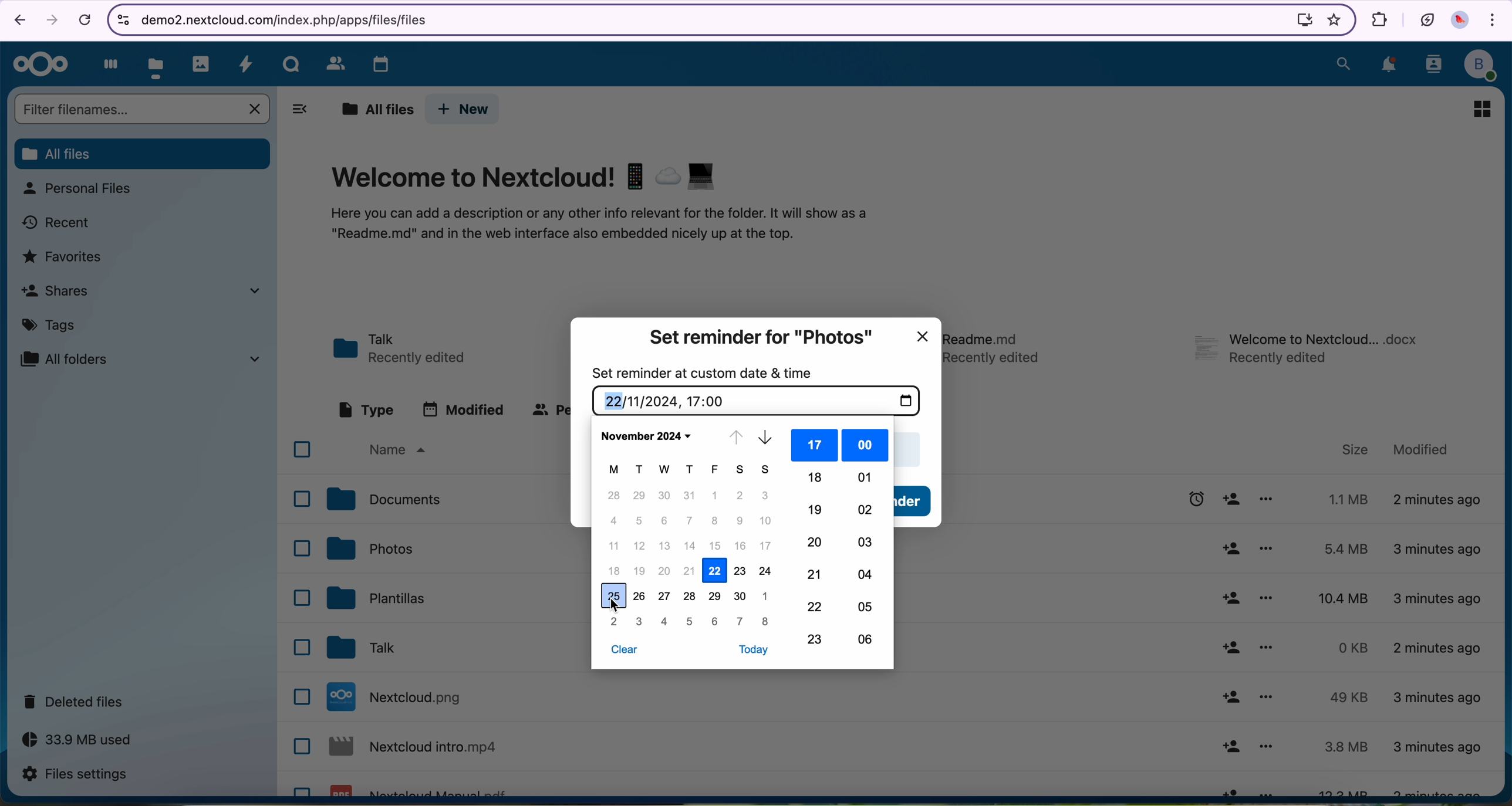 The width and height of the screenshot is (1512, 806). Describe the element at coordinates (864, 575) in the screenshot. I see `04` at that location.